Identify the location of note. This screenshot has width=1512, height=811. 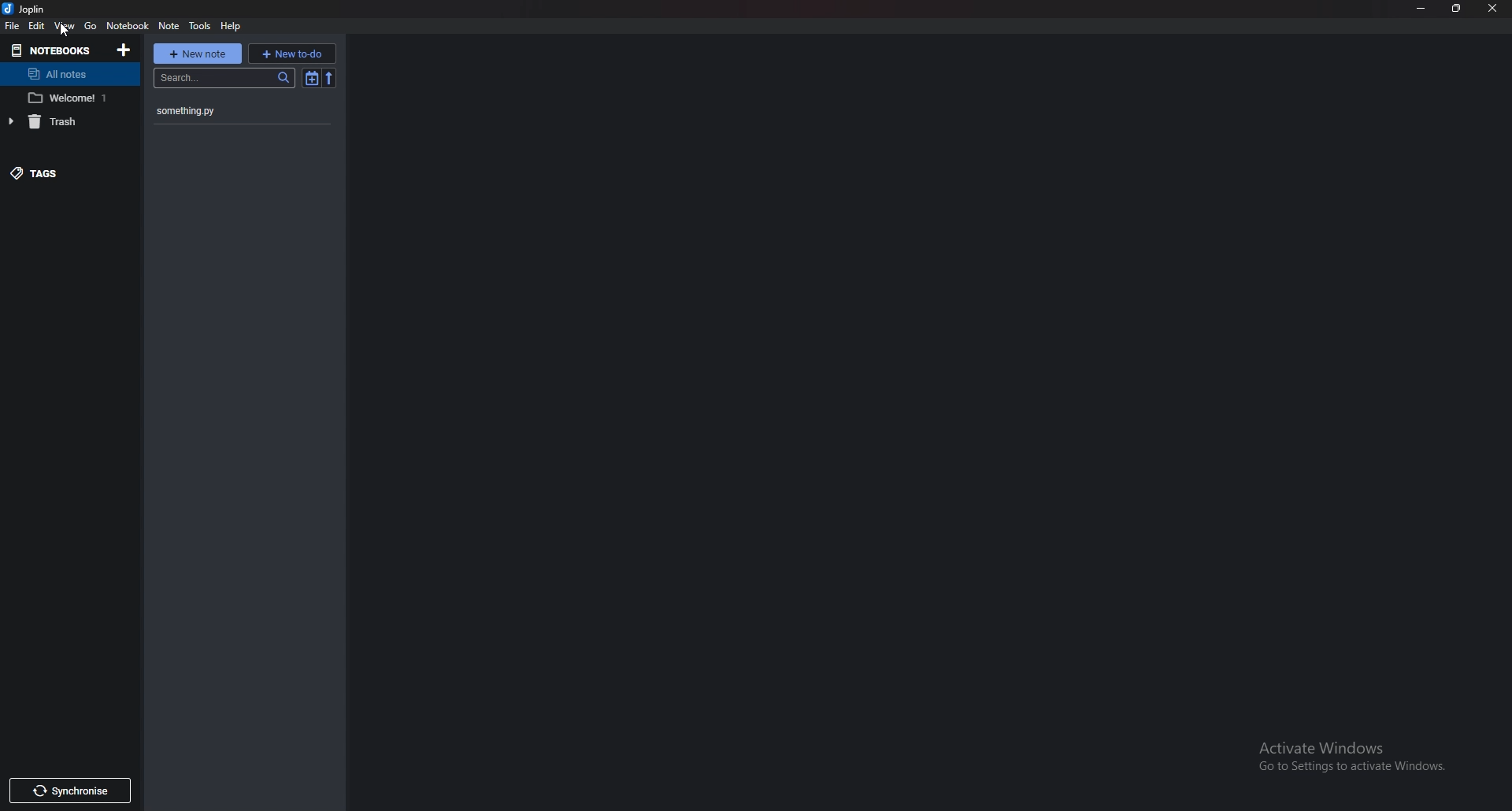
(169, 25).